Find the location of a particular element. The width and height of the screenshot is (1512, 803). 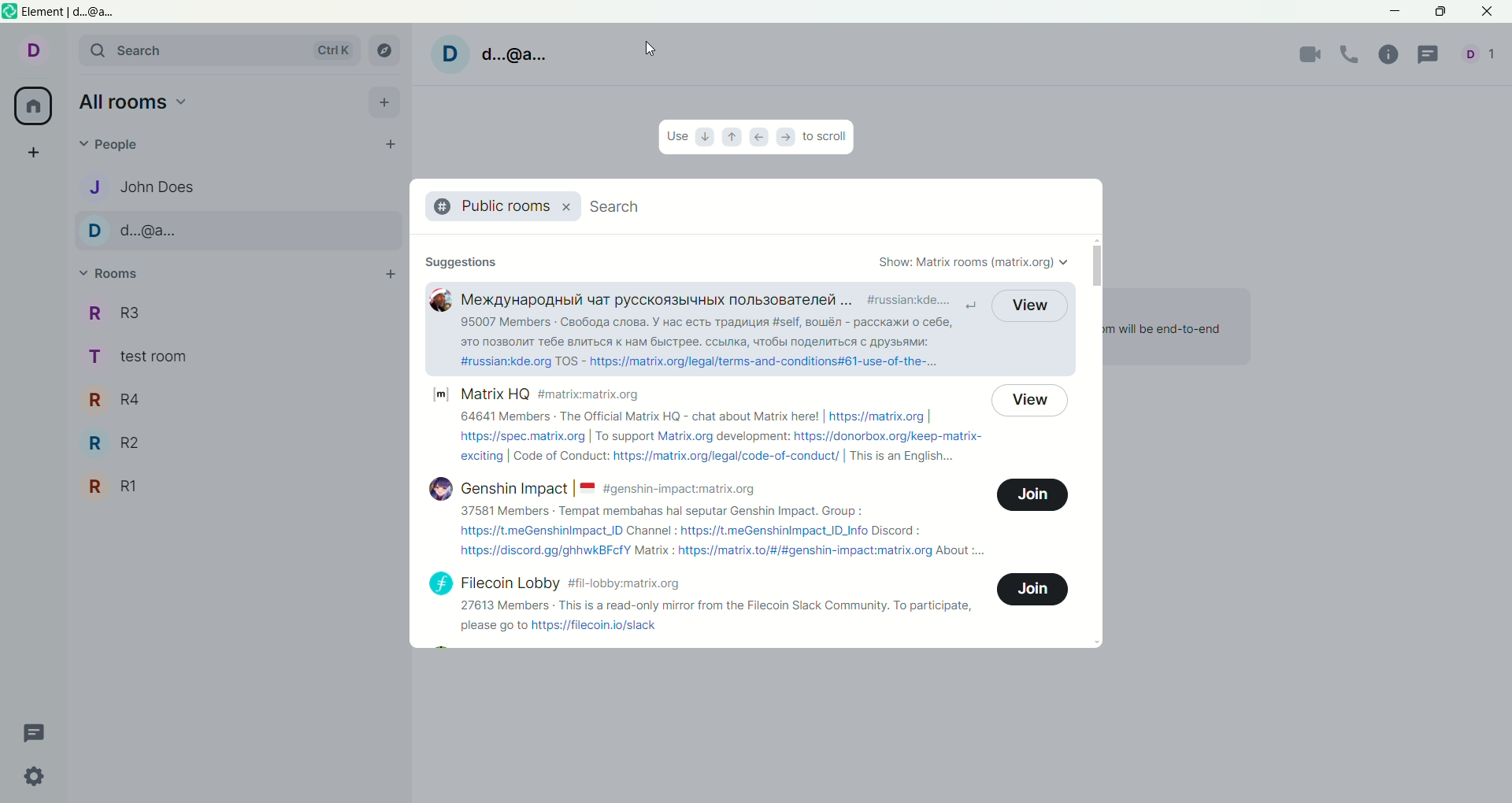

https://matrix.org/legal/terms-and-conditions#61-use-of-the-... is located at coordinates (765, 361).